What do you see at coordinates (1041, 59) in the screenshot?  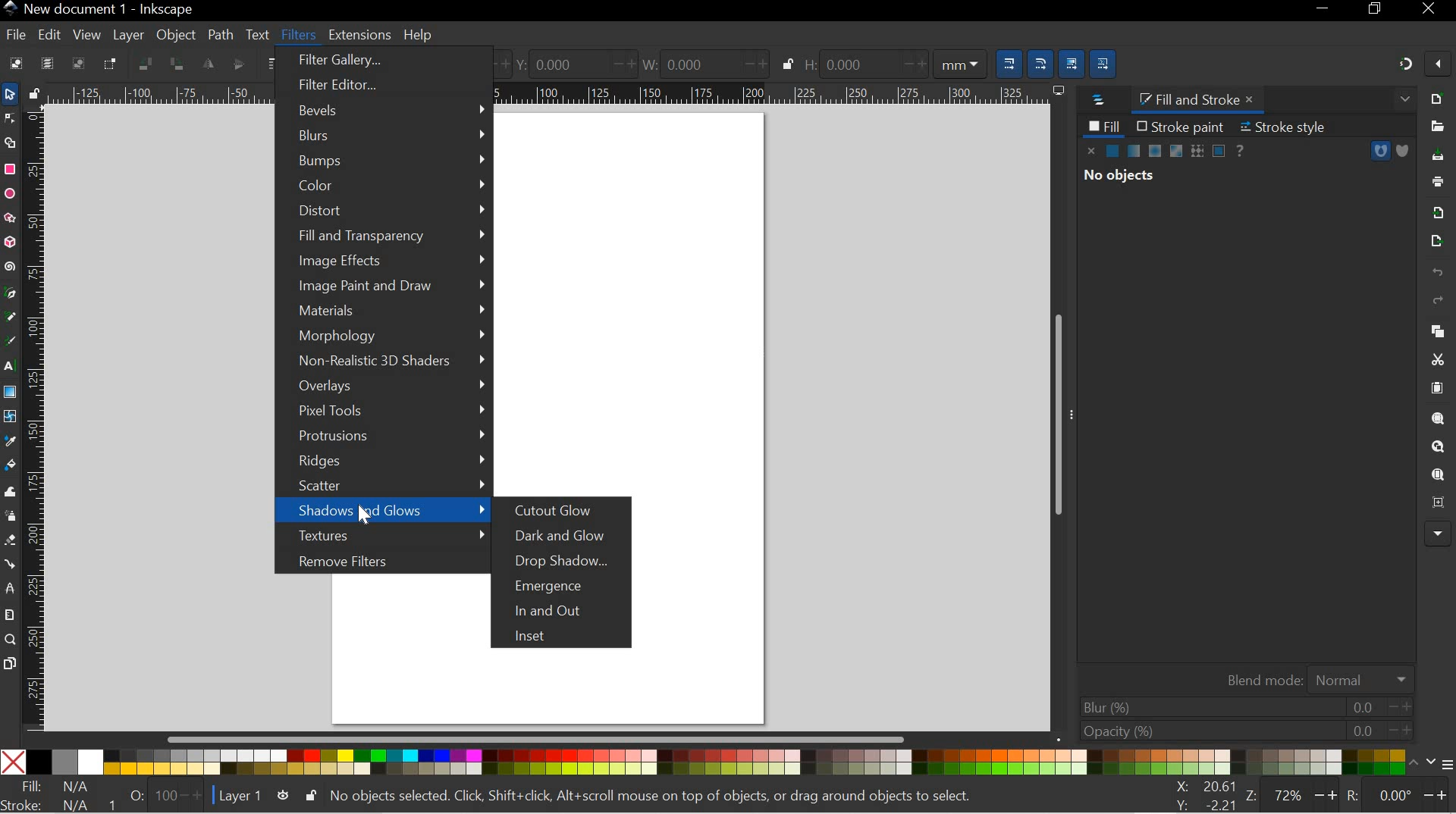 I see `SCALING RECTANGLES` at bounding box center [1041, 59].